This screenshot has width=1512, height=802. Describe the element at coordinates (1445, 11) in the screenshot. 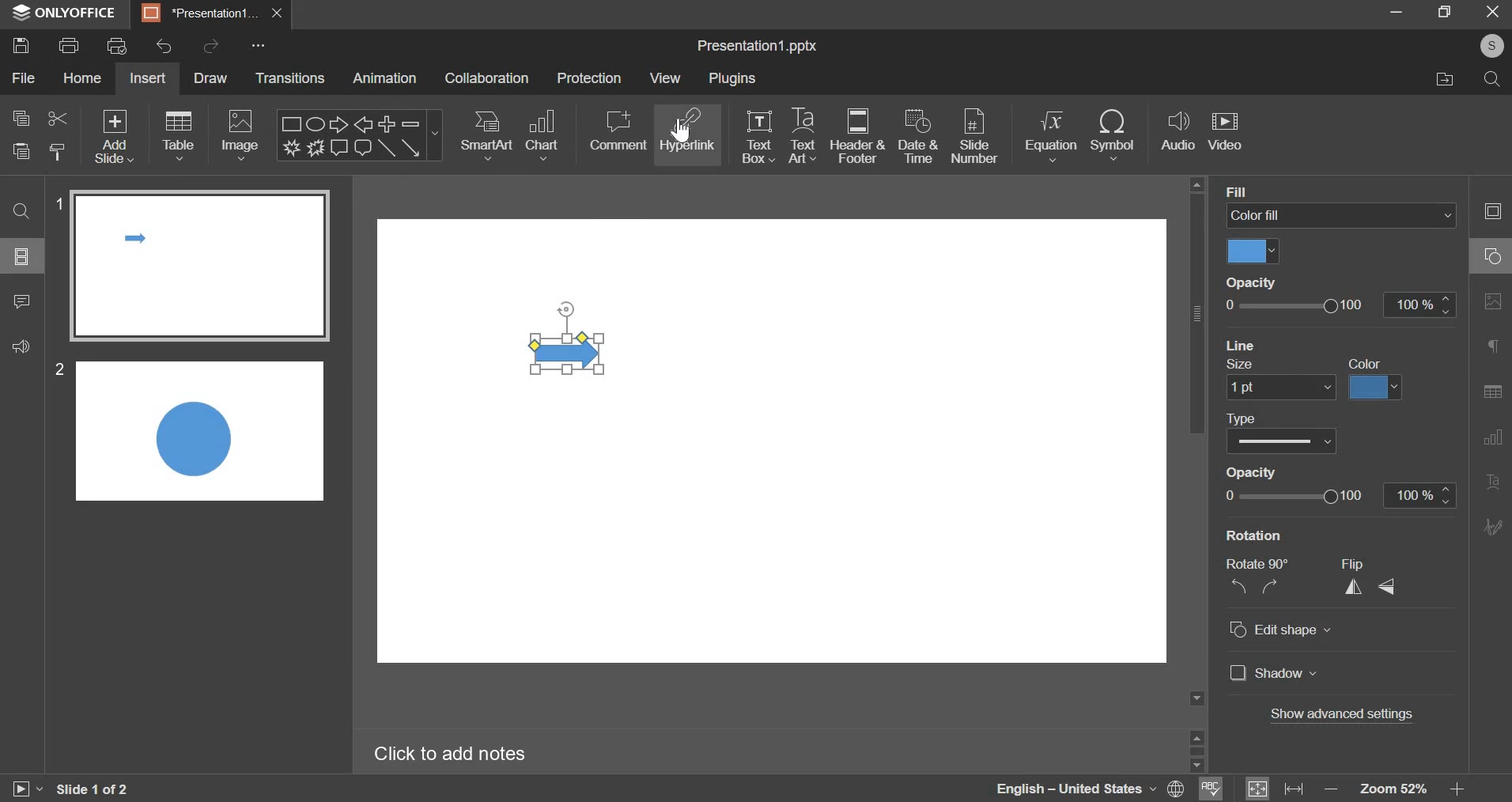

I see `maximize` at that location.